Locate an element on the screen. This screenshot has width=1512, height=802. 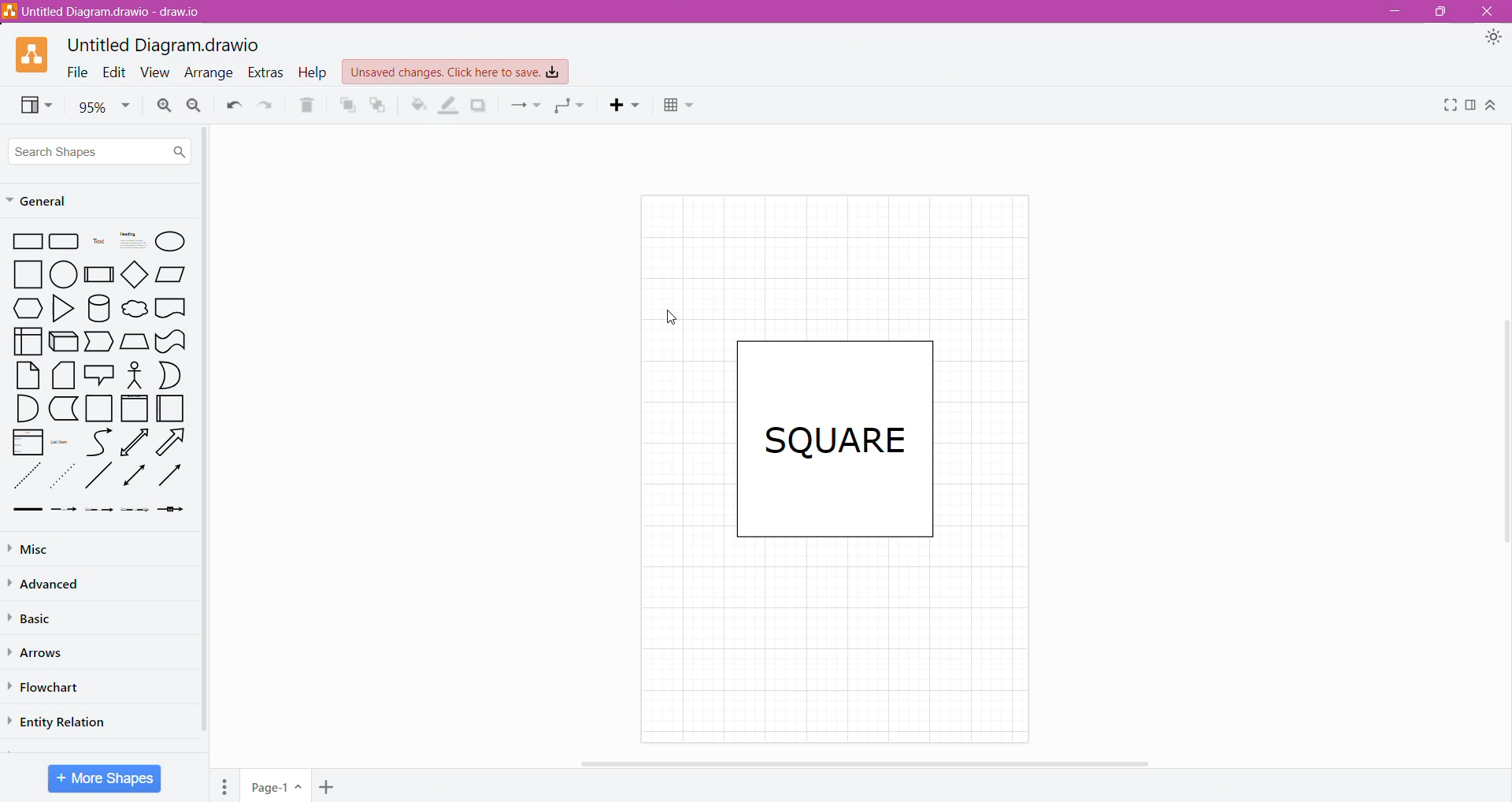
Fill Color is located at coordinates (413, 106).